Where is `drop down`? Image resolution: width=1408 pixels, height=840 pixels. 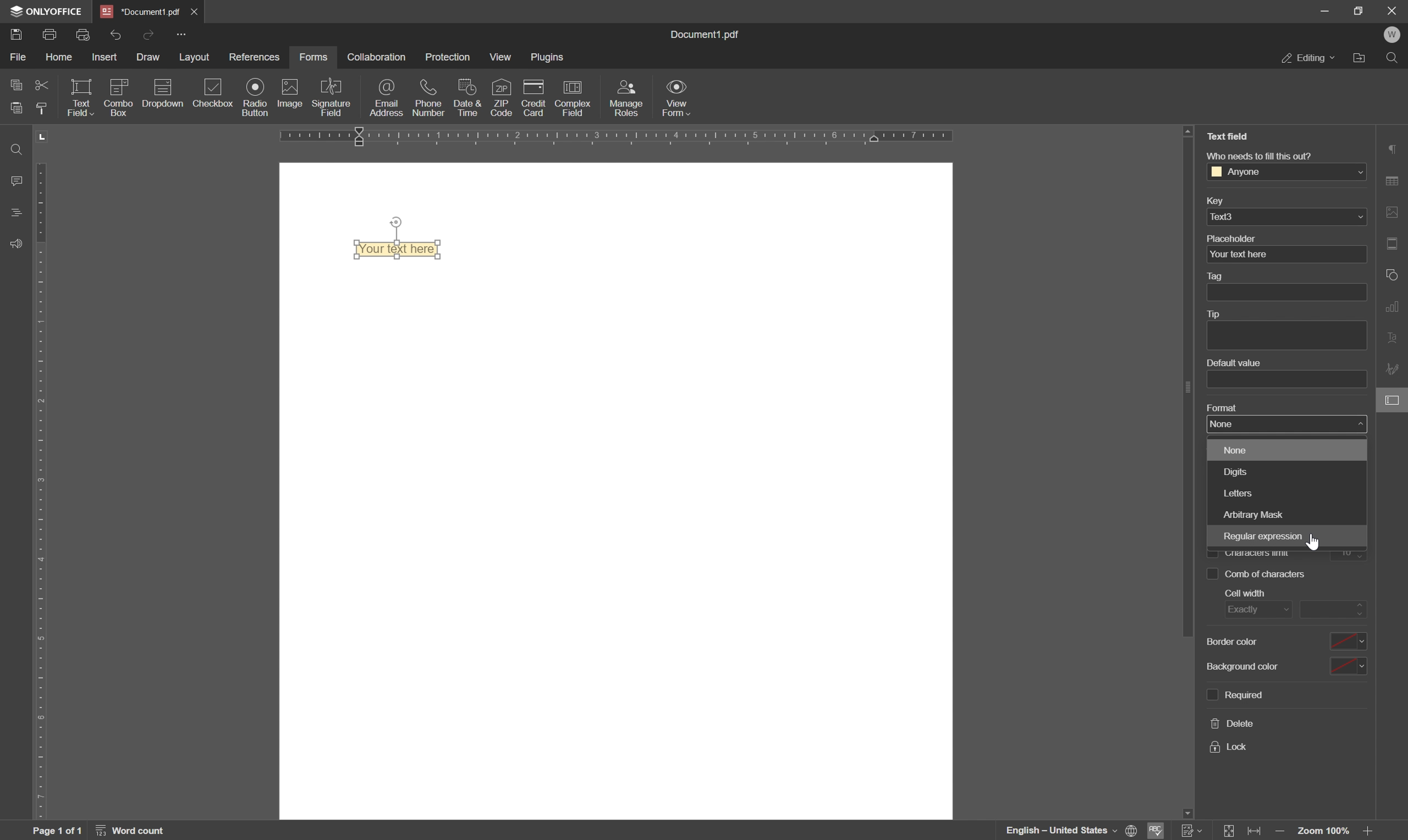 drop down is located at coordinates (1360, 217).